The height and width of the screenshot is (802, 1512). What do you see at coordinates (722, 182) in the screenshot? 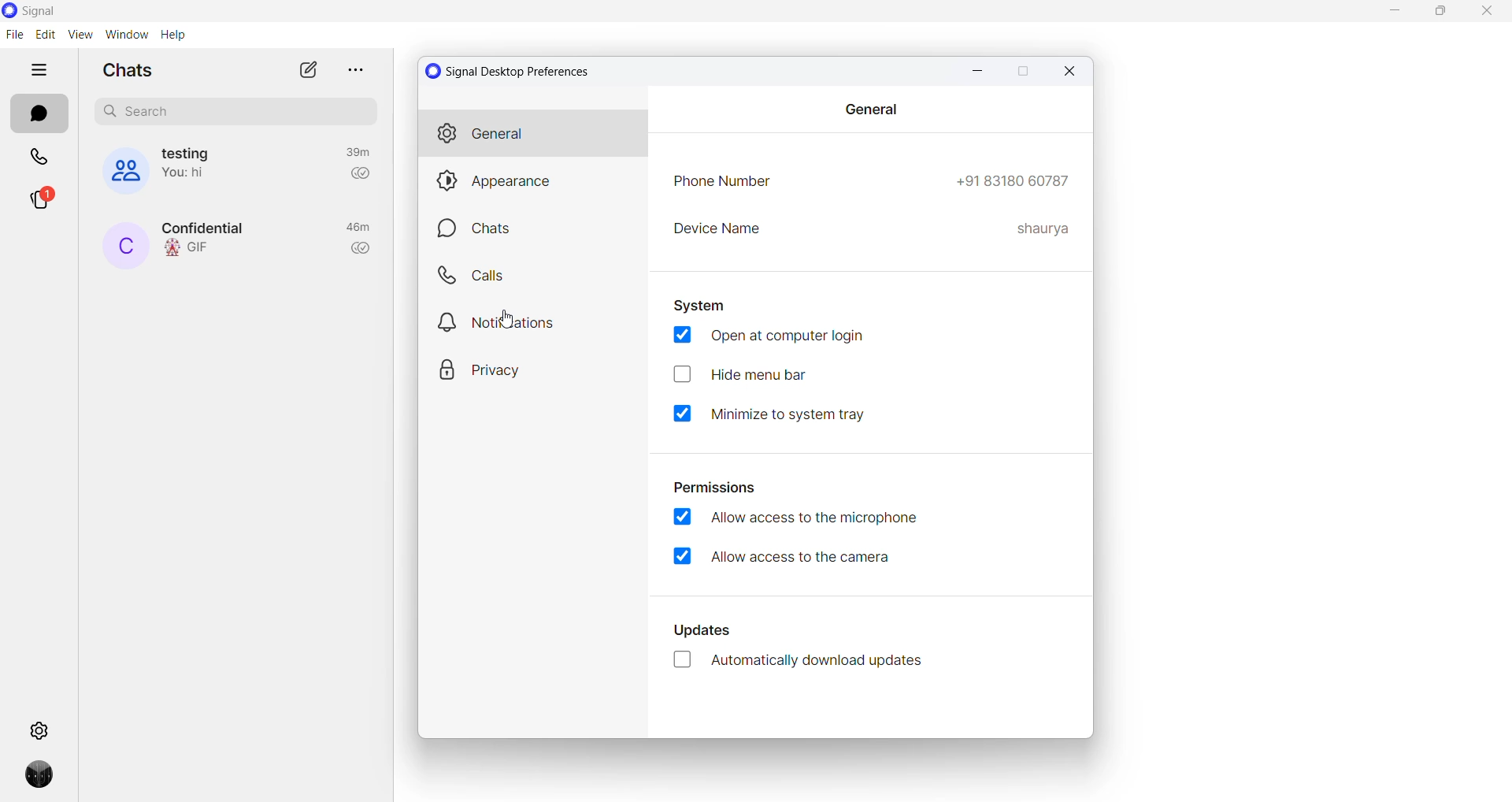
I see `phone number text` at bounding box center [722, 182].